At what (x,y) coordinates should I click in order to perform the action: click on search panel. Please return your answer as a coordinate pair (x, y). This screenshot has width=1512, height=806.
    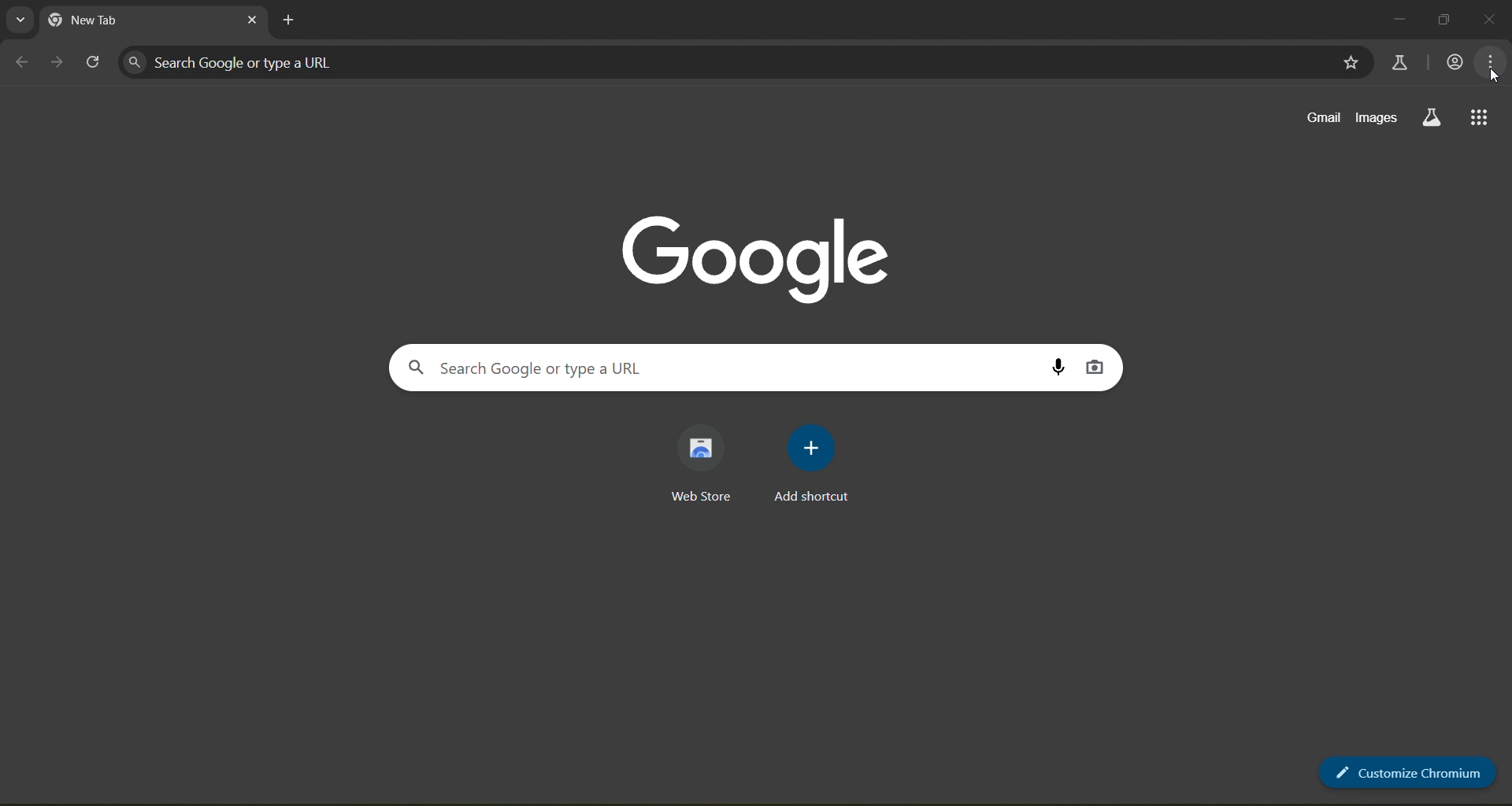
    Looking at the image, I should click on (240, 61).